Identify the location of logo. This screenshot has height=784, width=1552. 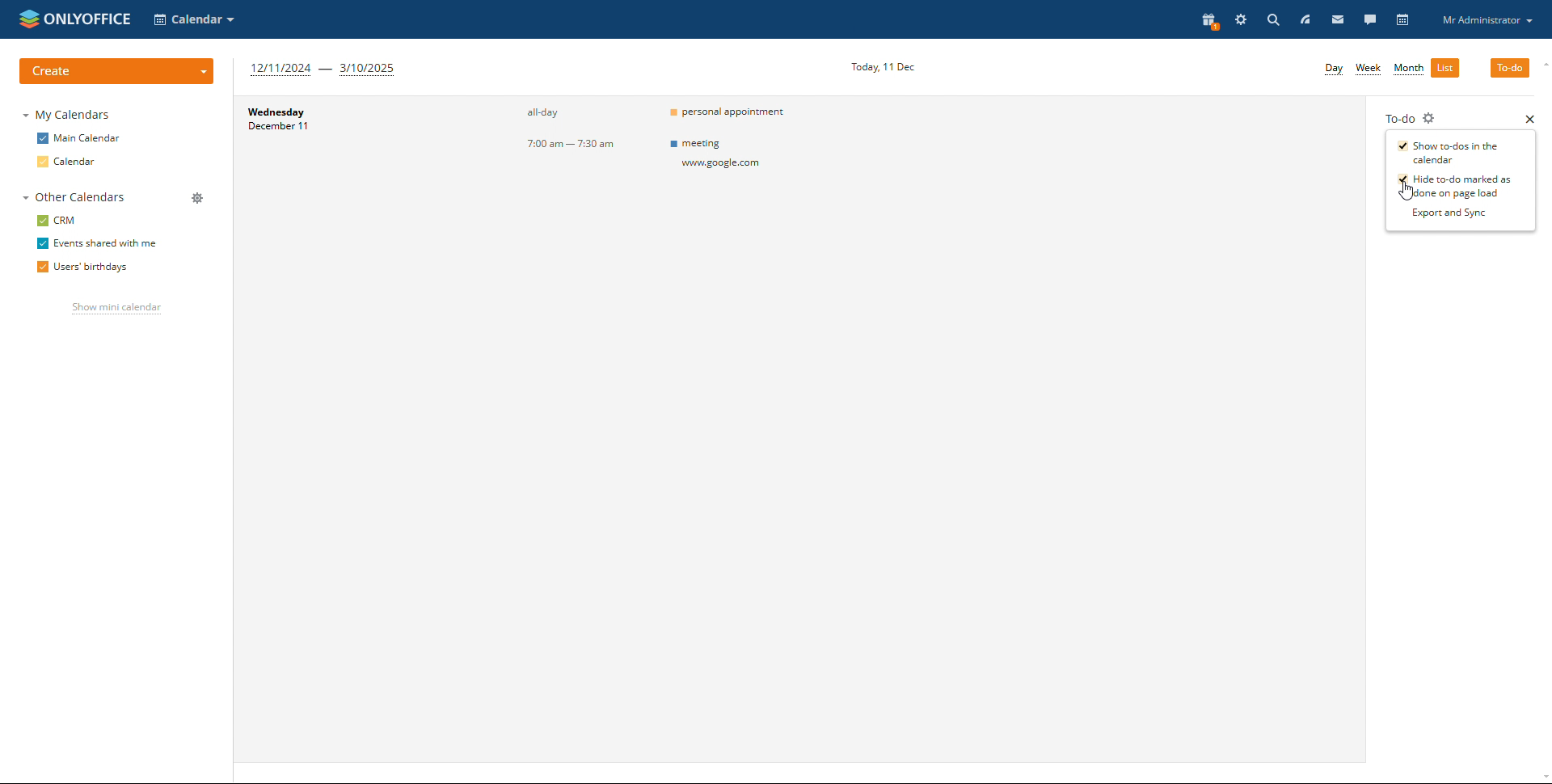
(77, 19).